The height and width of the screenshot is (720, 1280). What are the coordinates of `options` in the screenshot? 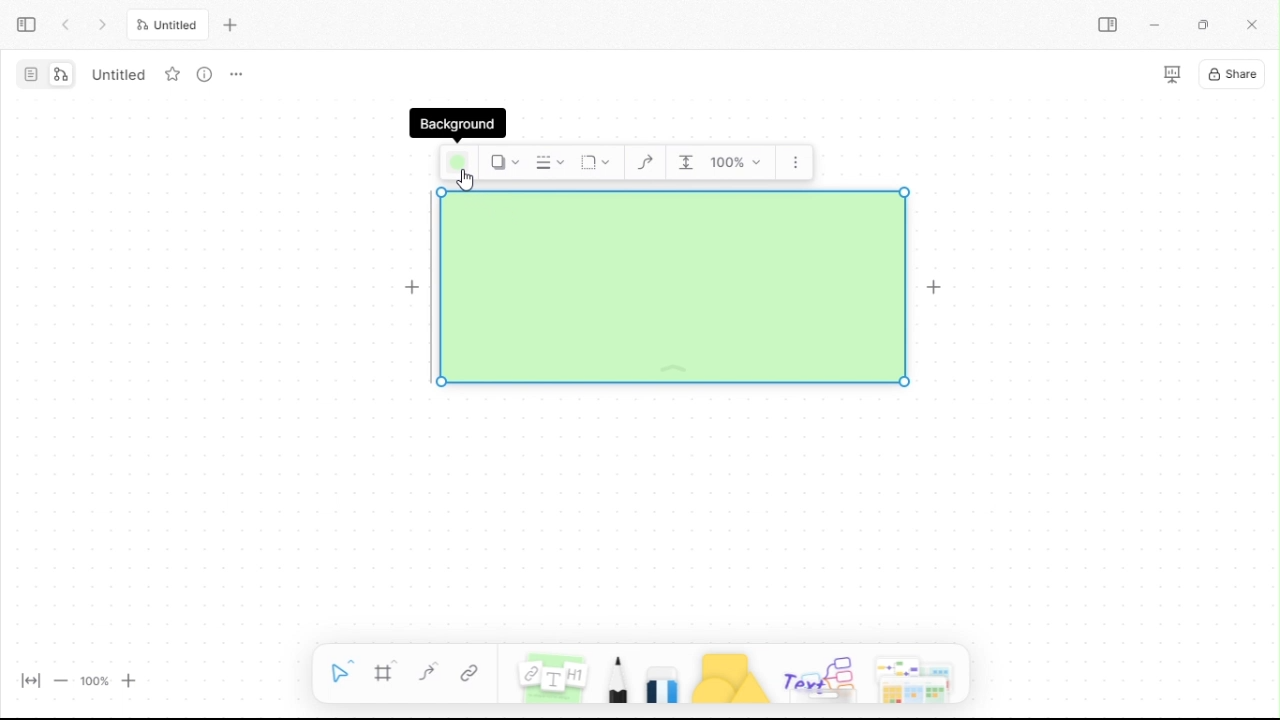 It's located at (236, 75).